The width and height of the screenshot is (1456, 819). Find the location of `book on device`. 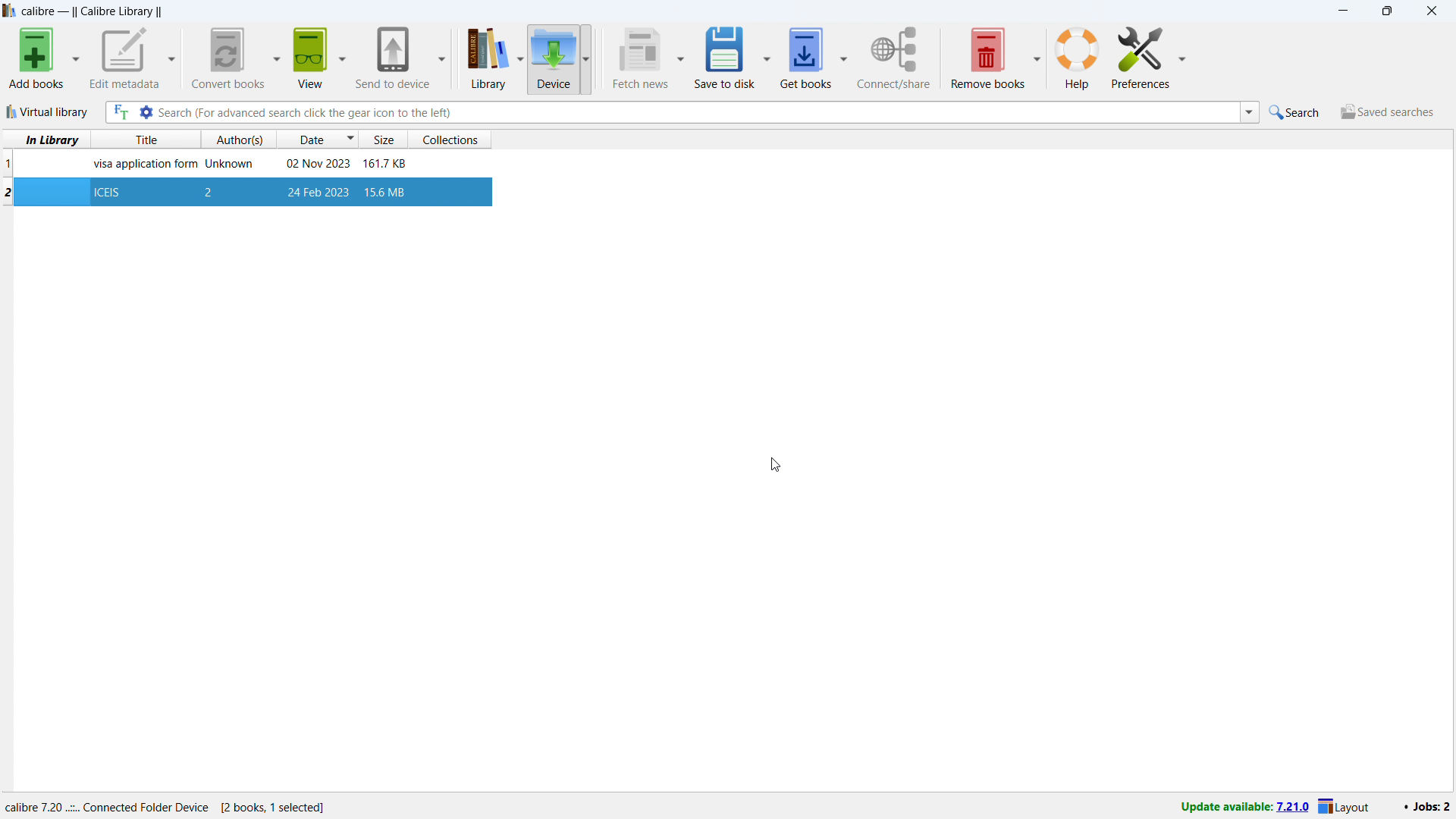

book on device is located at coordinates (244, 164).